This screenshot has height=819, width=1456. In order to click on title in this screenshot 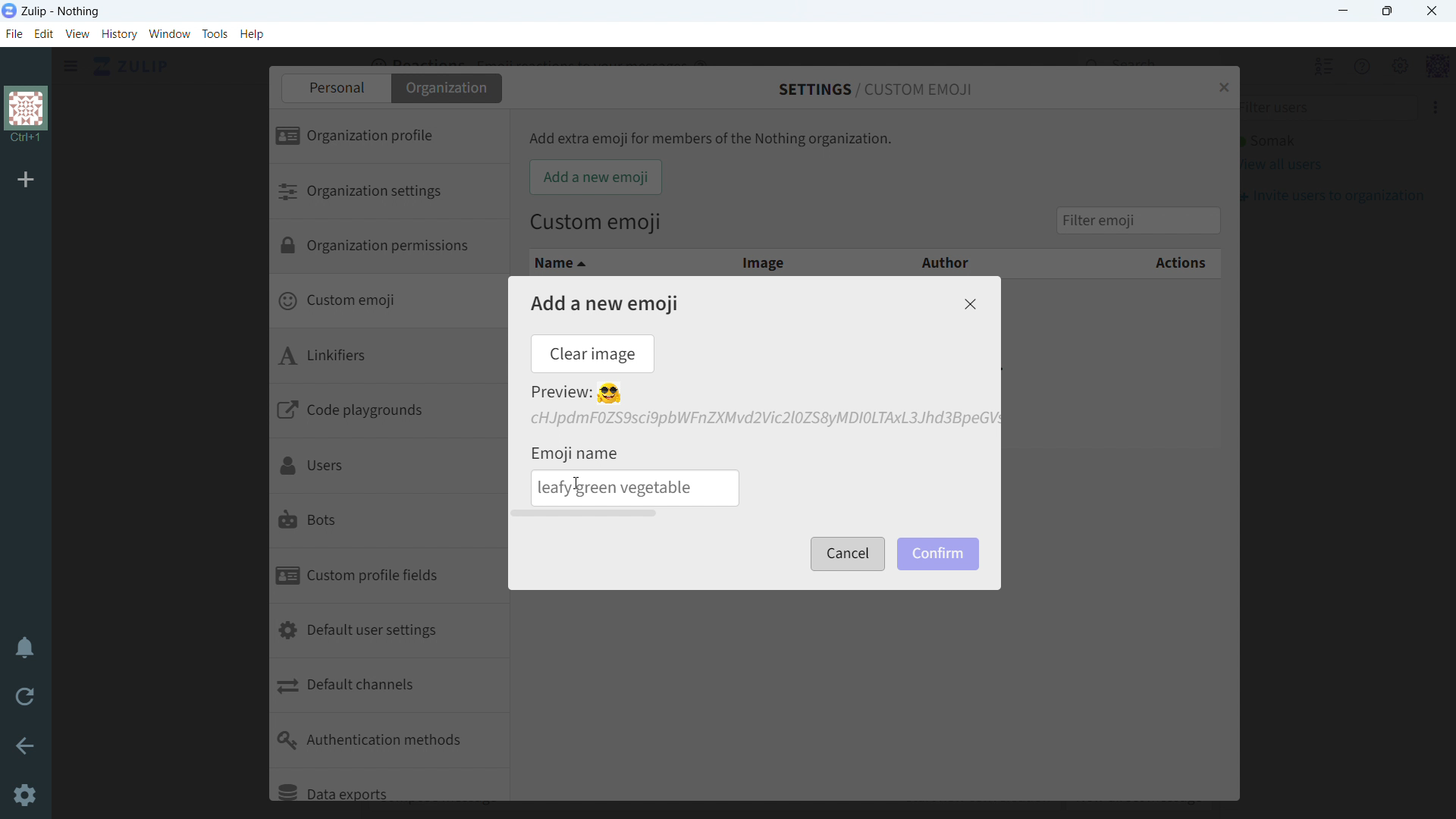, I will do `click(61, 12)`.